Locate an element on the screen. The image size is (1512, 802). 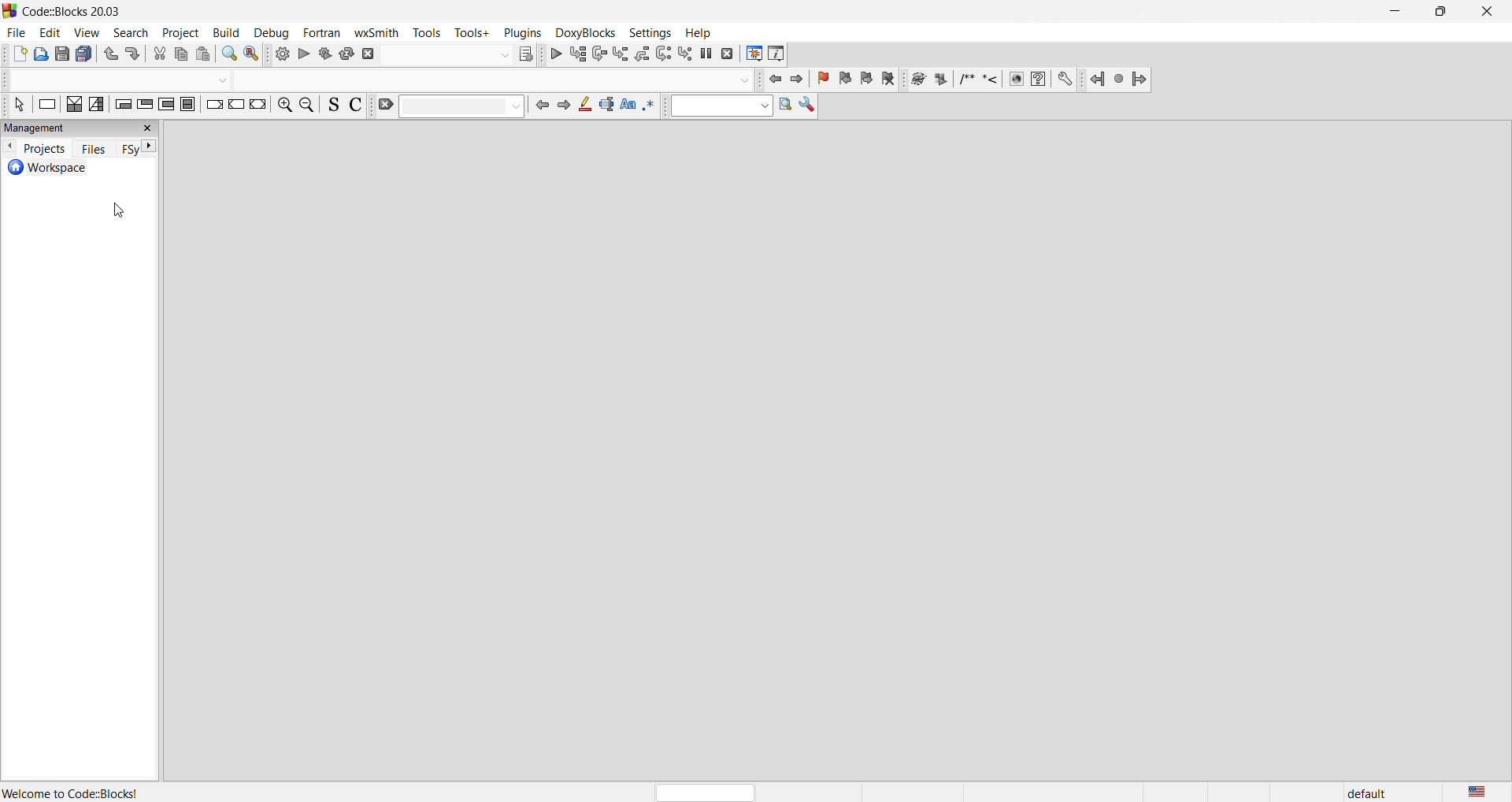
debug is located at coordinates (271, 32).